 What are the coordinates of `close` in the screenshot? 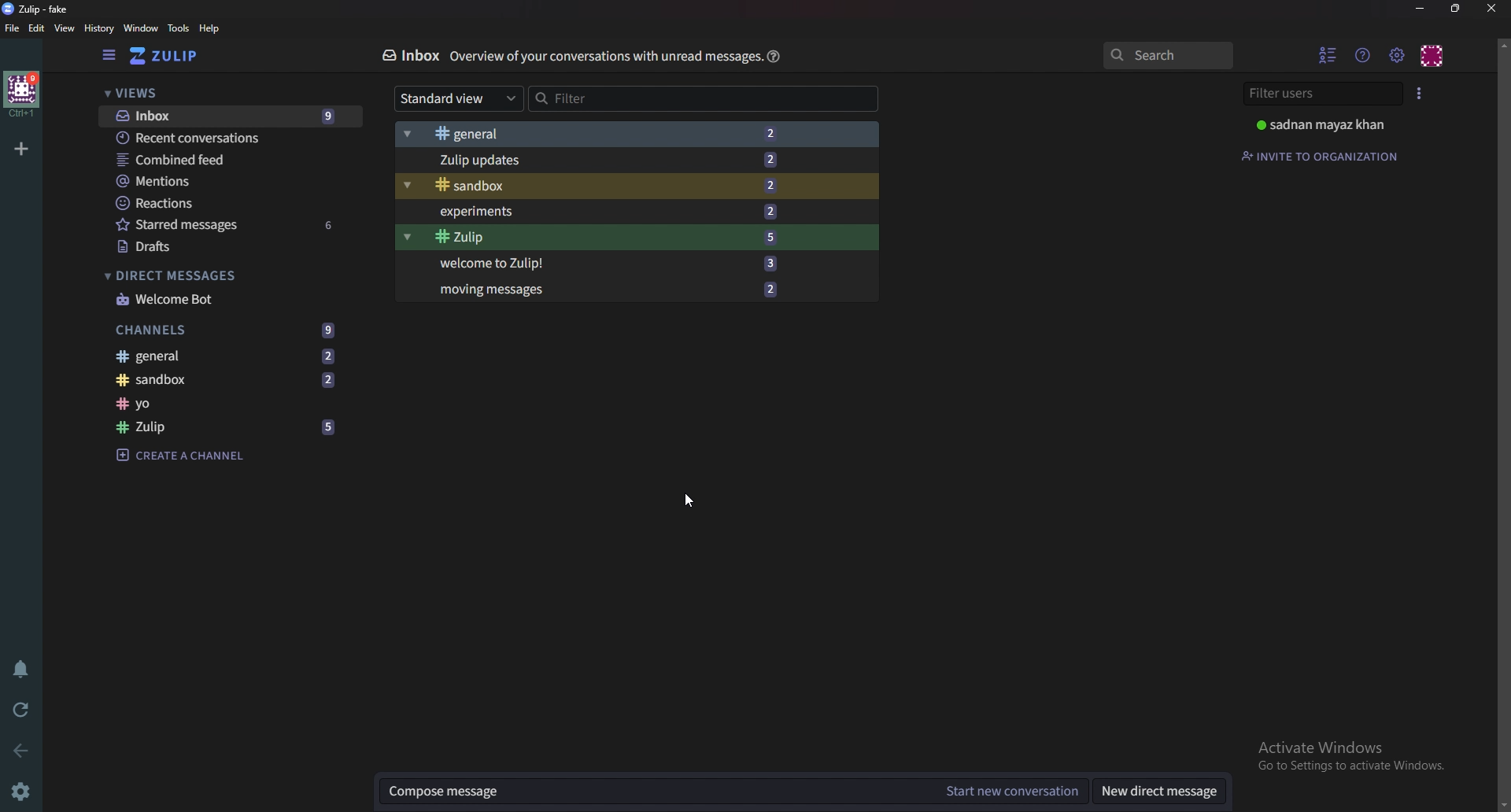 It's located at (1491, 9).